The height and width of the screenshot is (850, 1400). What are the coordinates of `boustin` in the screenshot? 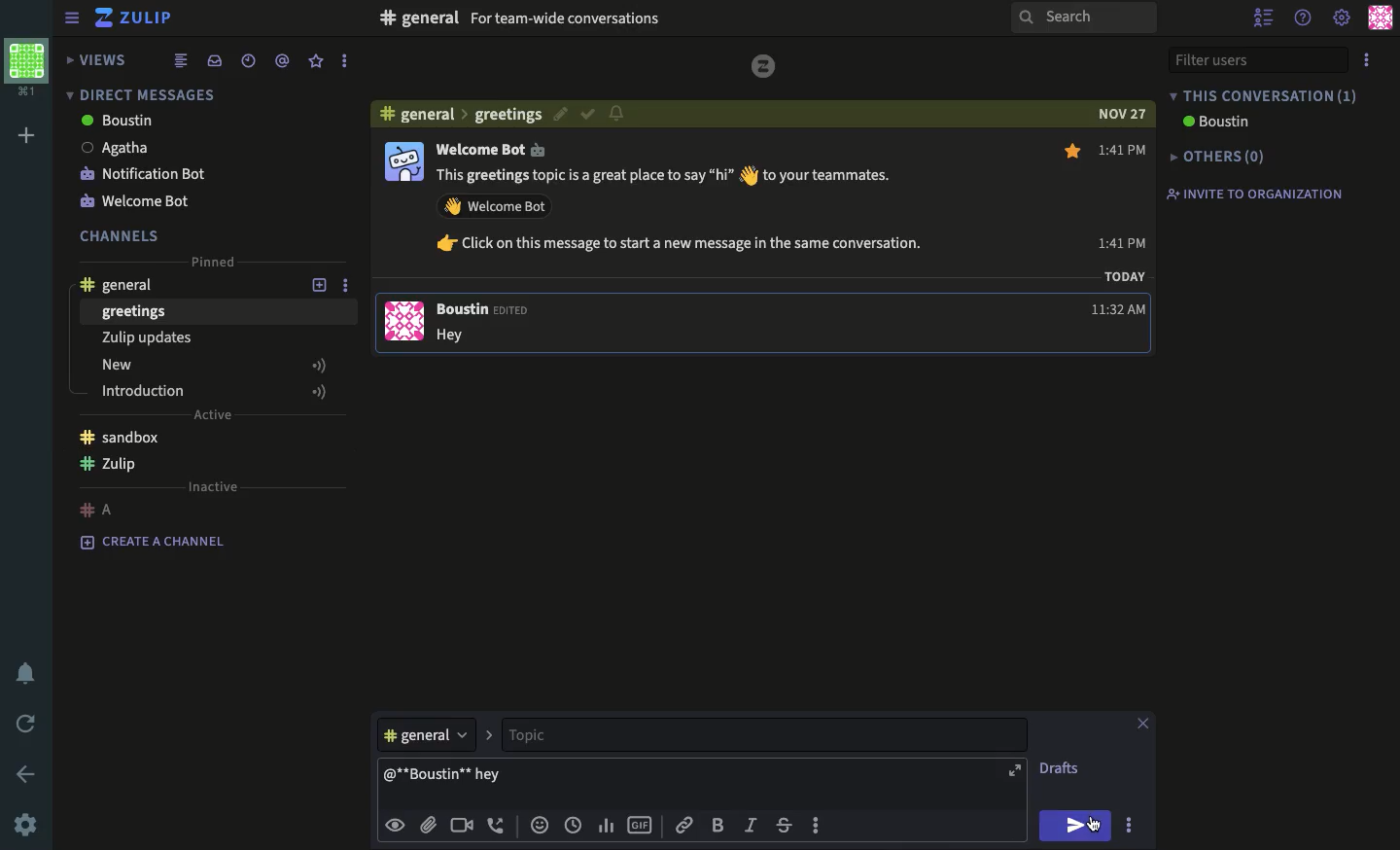 It's located at (117, 122).